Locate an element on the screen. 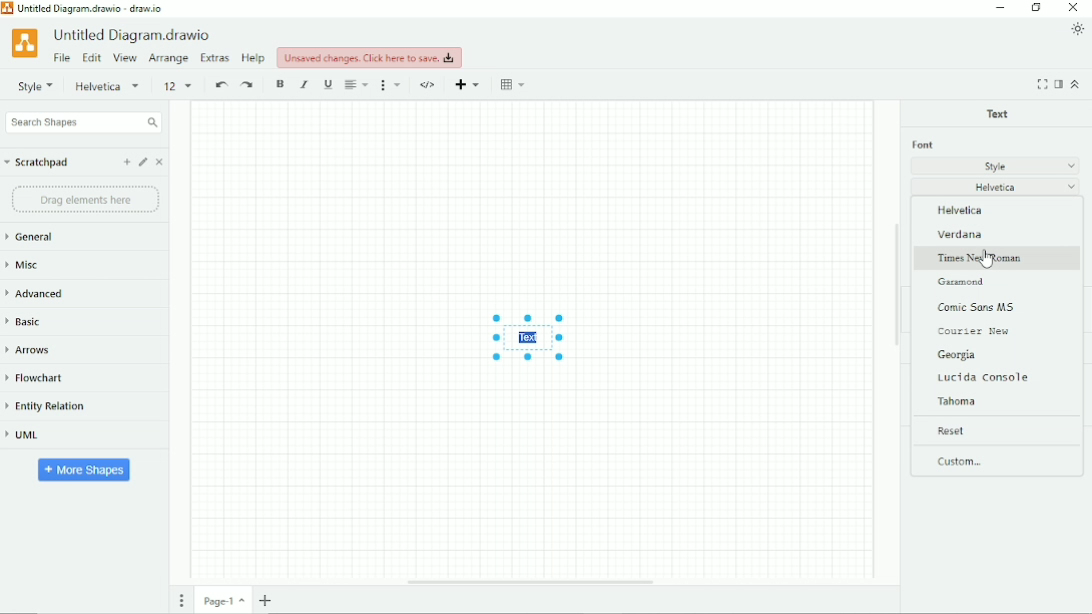 This screenshot has width=1092, height=614. Search Shapes is located at coordinates (83, 122).